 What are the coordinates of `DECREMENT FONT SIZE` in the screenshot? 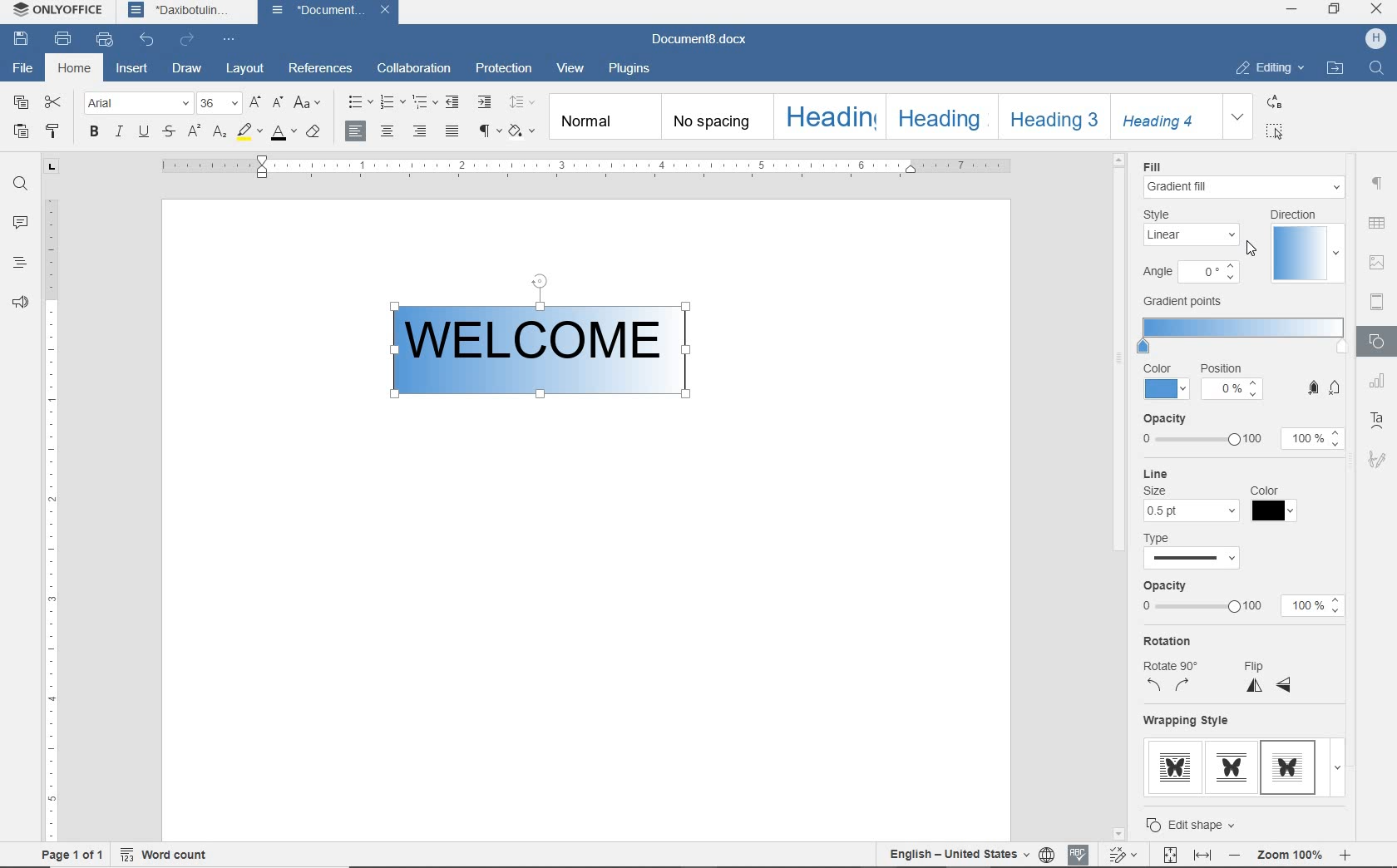 It's located at (279, 103).